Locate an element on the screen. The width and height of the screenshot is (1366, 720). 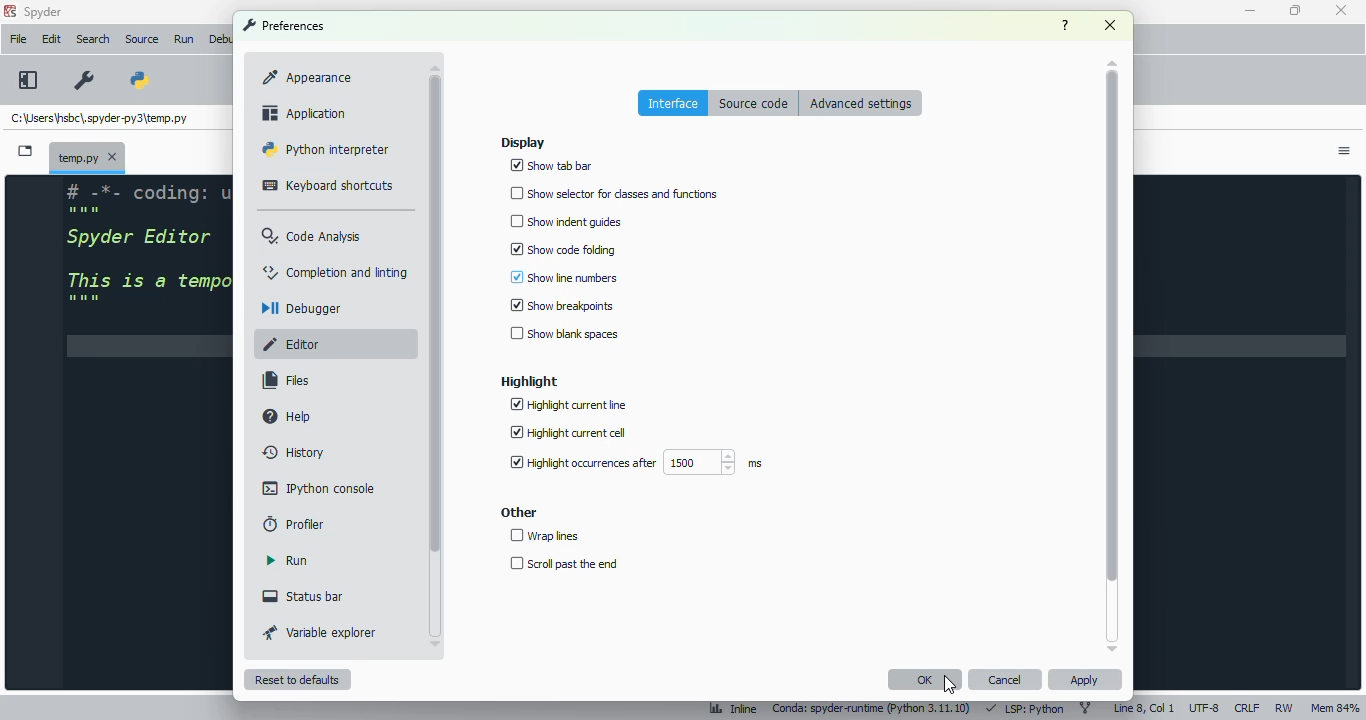
history is located at coordinates (295, 453).